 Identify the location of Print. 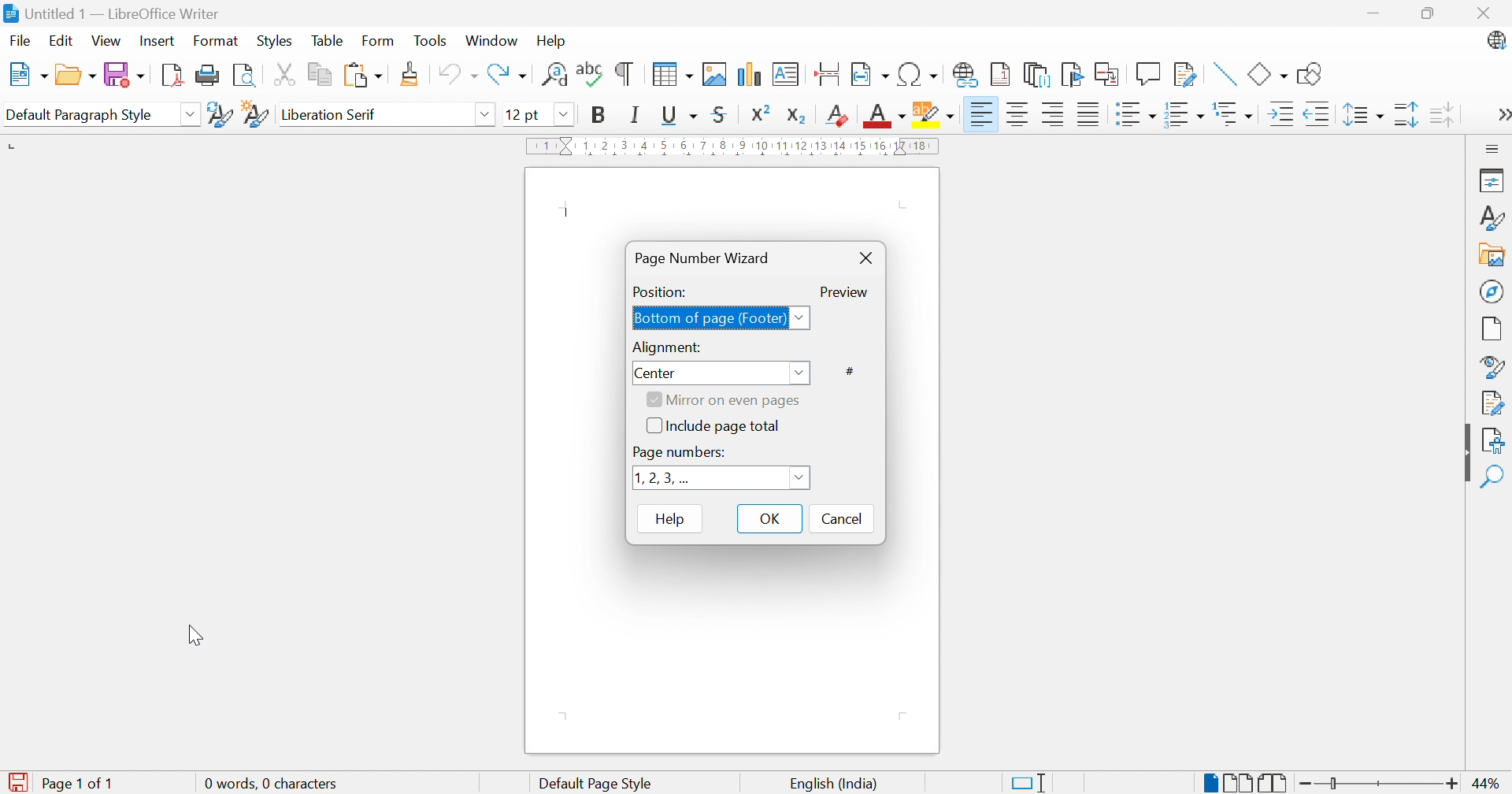
(210, 76).